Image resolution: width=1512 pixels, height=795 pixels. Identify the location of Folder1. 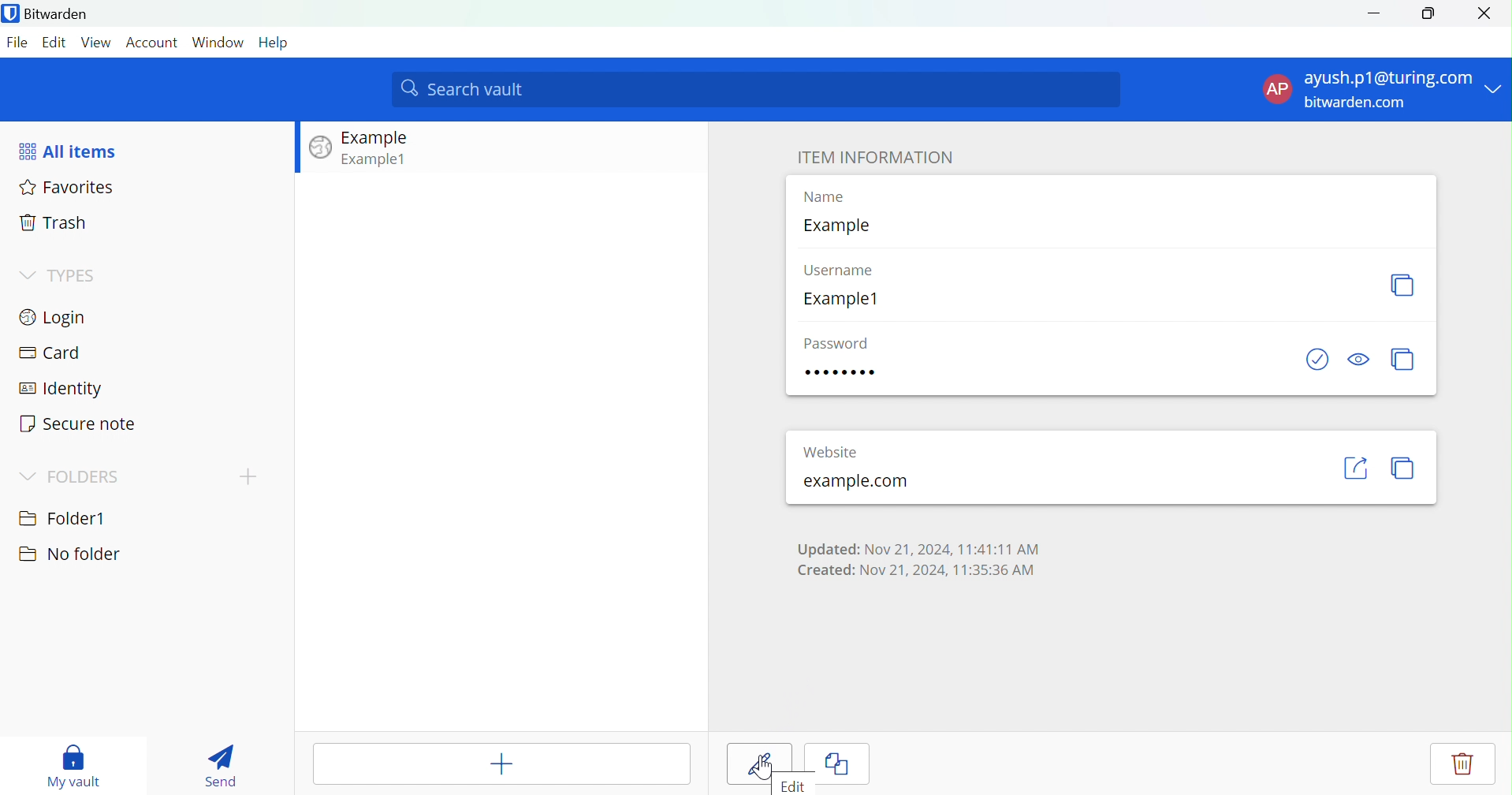
(63, 516).